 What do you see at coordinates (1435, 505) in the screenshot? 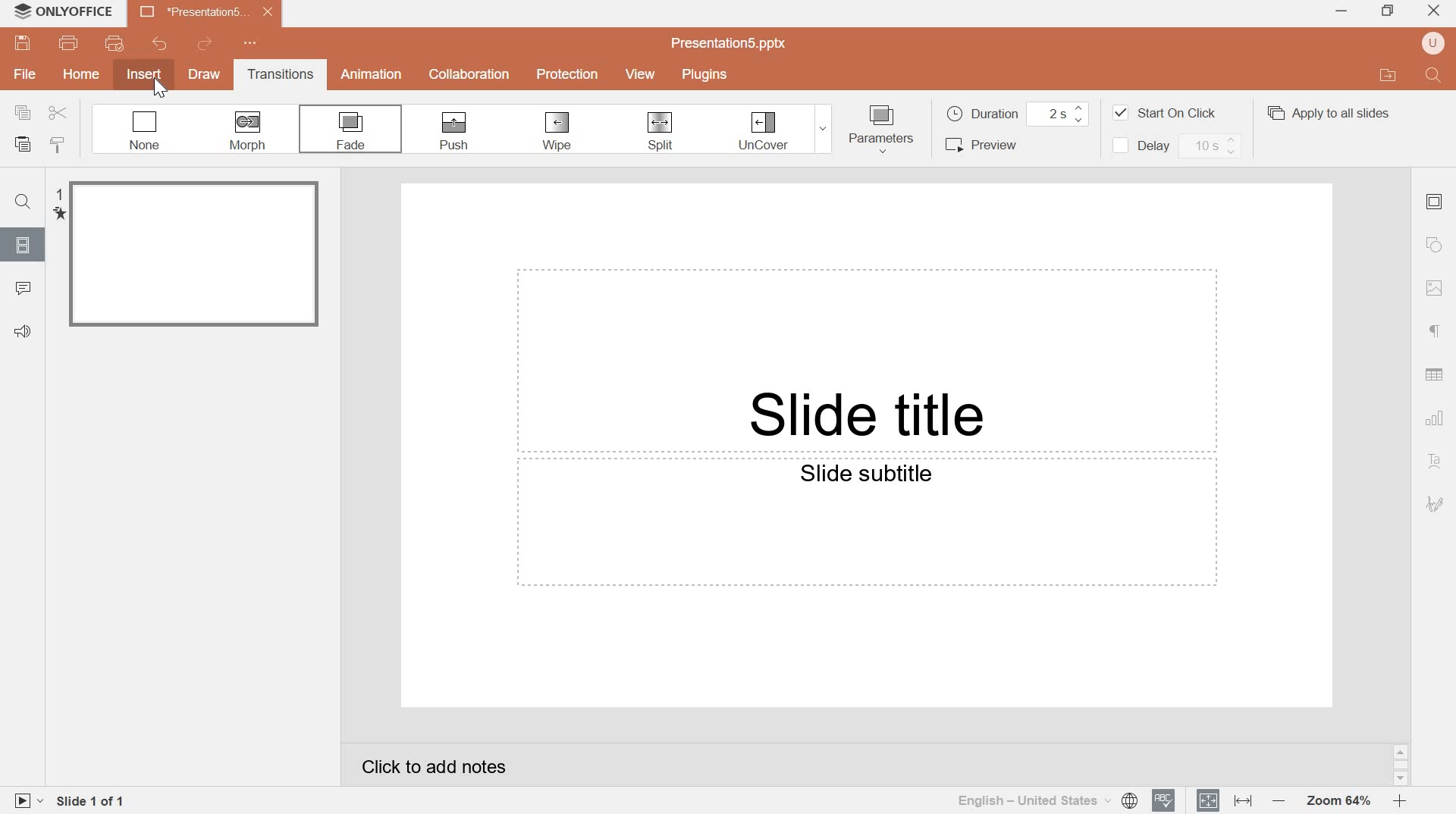
I see `signature` at bounding box center [1435, 505].